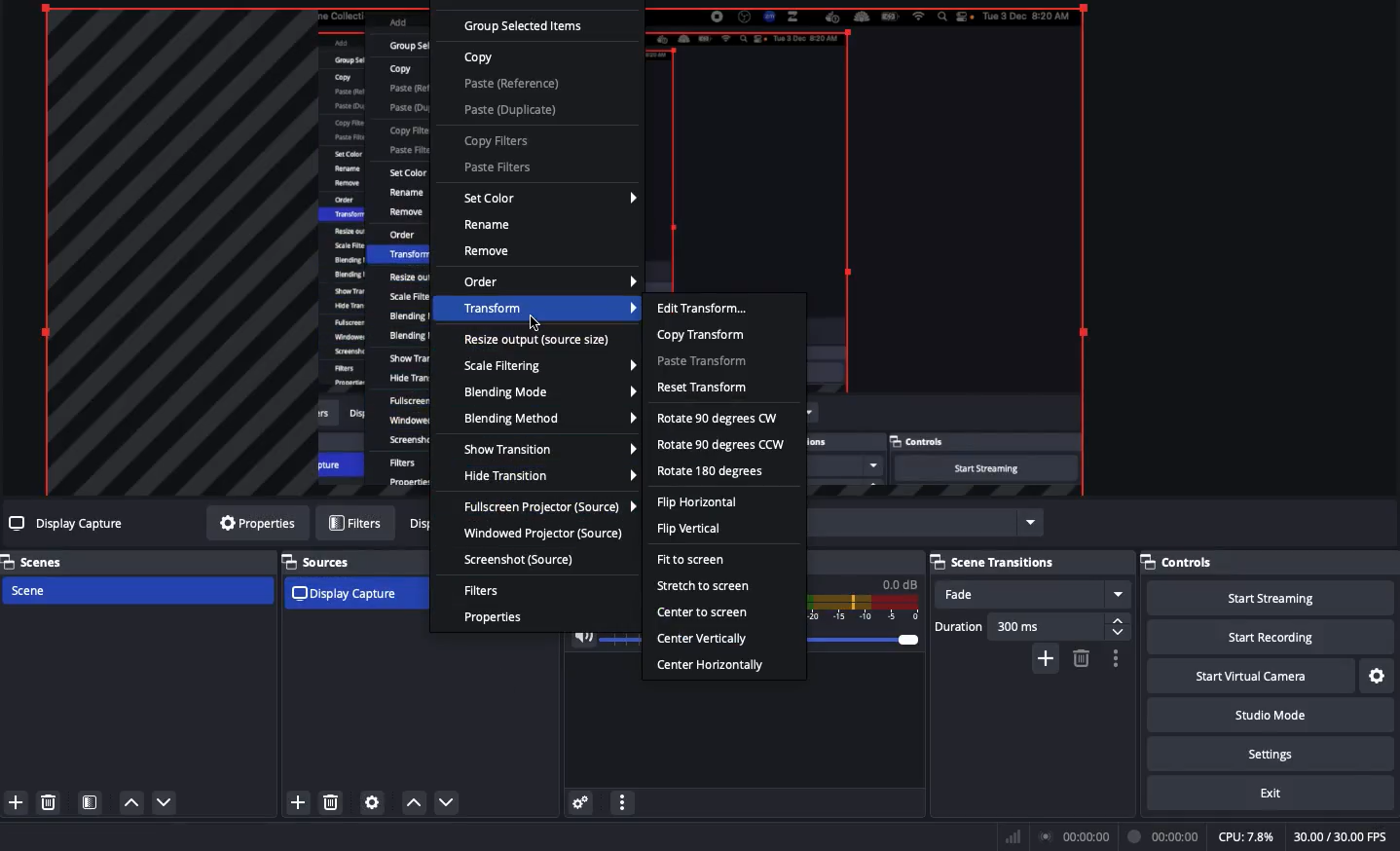 The width and height of the screenshot is (1400, 851). What do you see at coordinates (91, 801) in the screenshot?
I see `Scene filter` at bounding box center [91, 801].